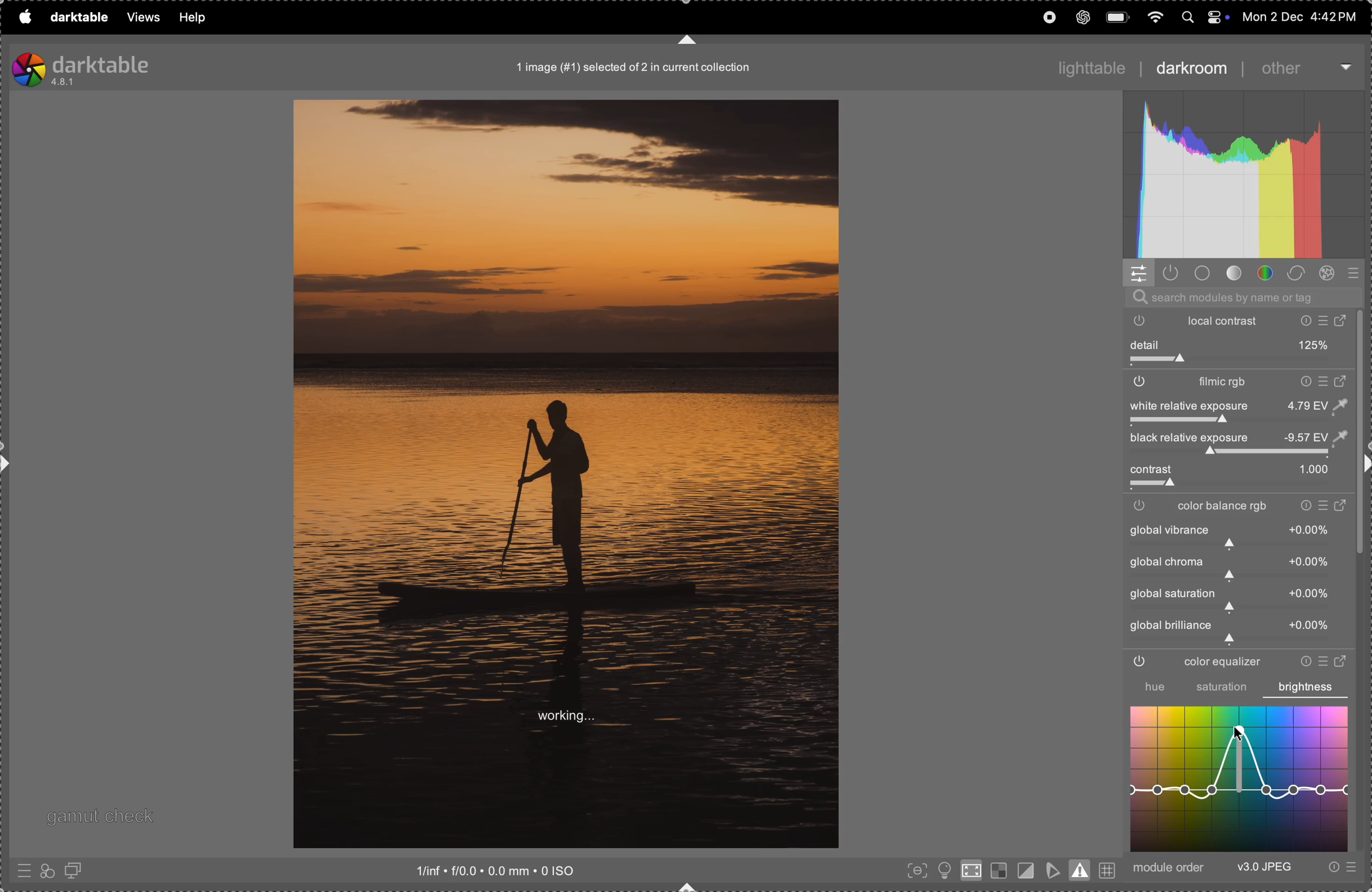 The image size is (1372, 892). I want to click on color bar, so click(1243, 507).